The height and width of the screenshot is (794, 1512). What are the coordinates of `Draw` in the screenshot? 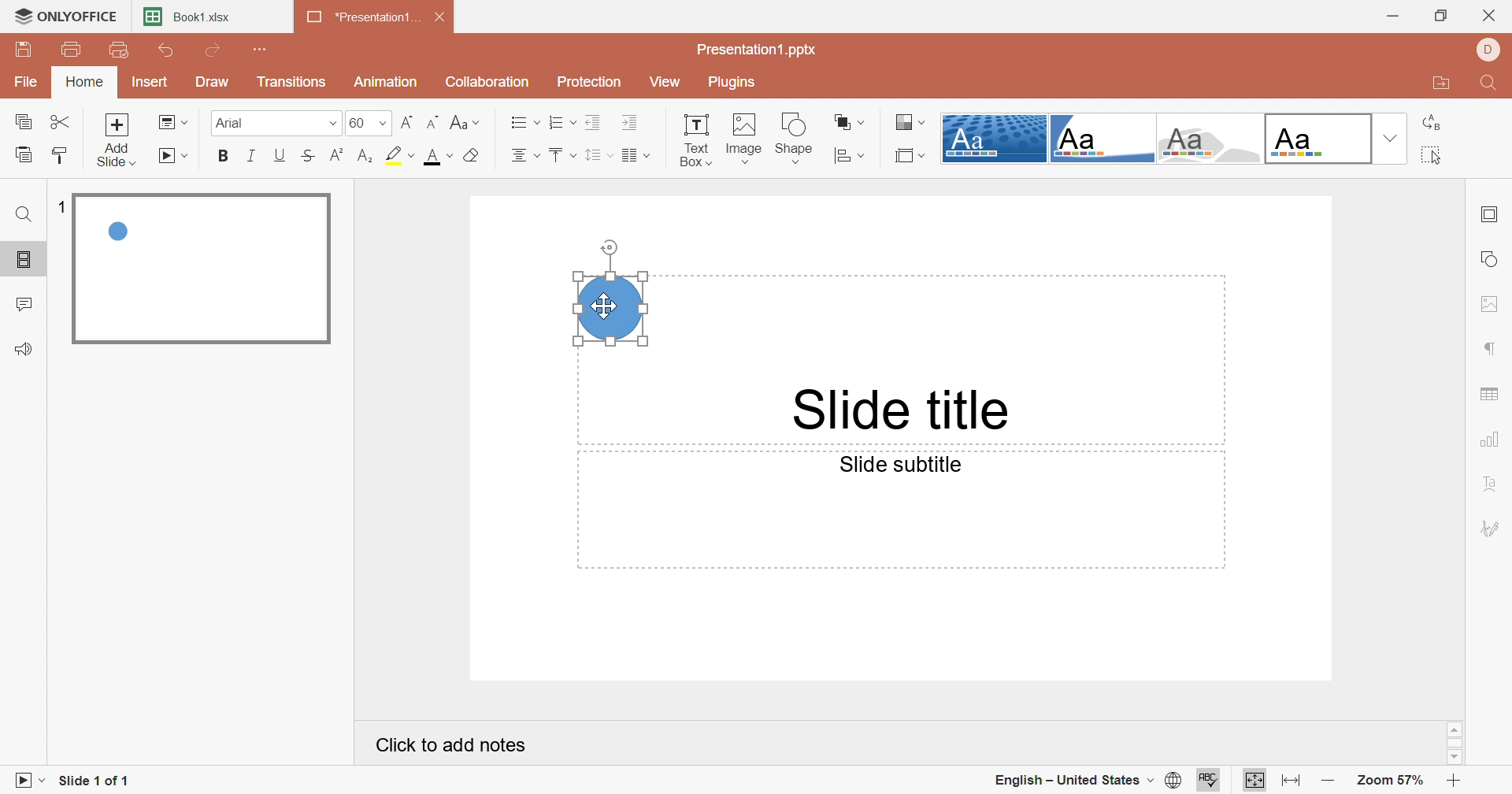 It's located at (215, 81).